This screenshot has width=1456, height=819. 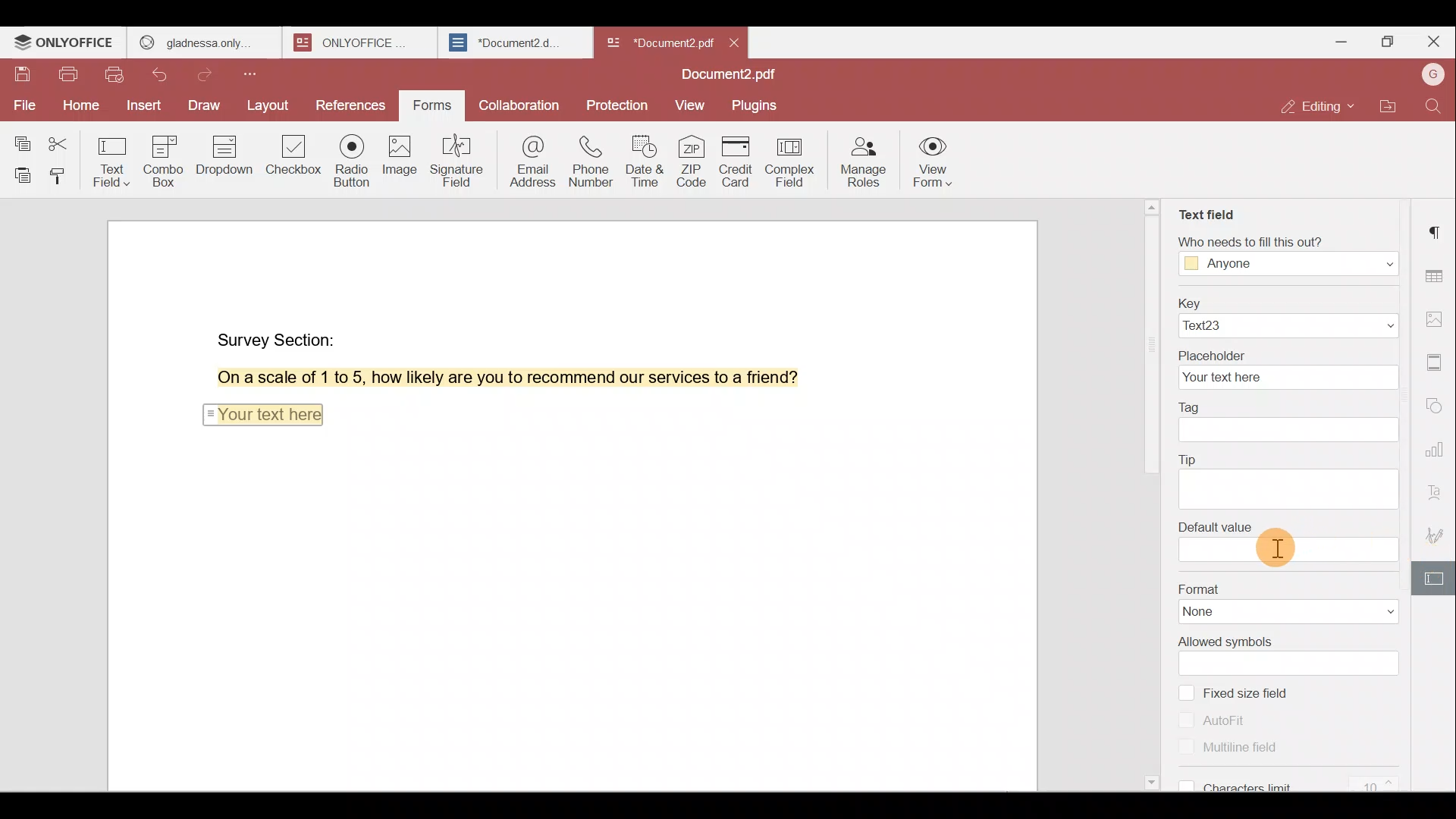 I want to click on Your text here, so click(x=262, y=413).